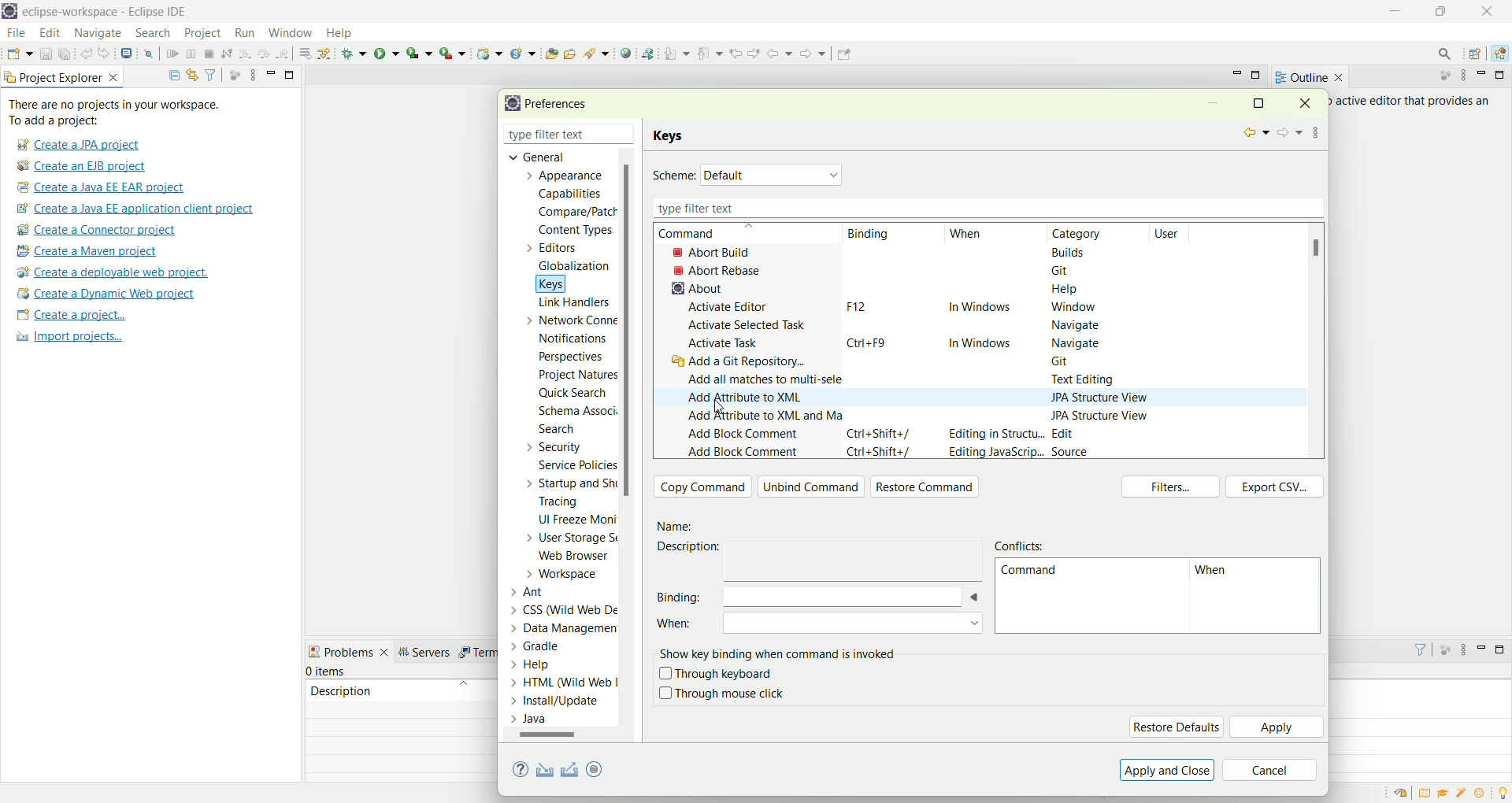 This screenshot has width=1512, height=803. I want to click on notifications, so click(578, 338).